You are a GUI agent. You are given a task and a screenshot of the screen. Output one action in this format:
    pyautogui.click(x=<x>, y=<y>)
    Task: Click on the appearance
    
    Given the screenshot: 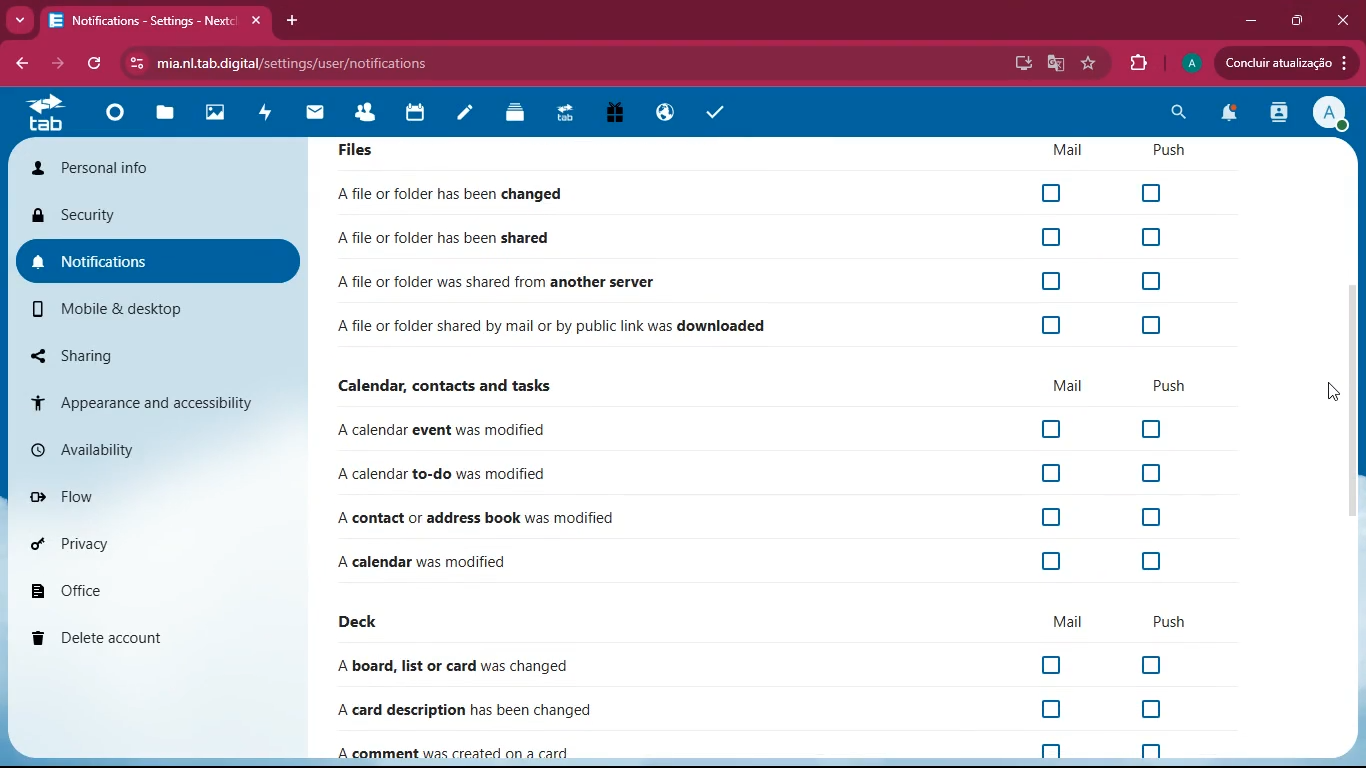 What is the action you would take?
    pyautogui.click(x=140, y=400)
    